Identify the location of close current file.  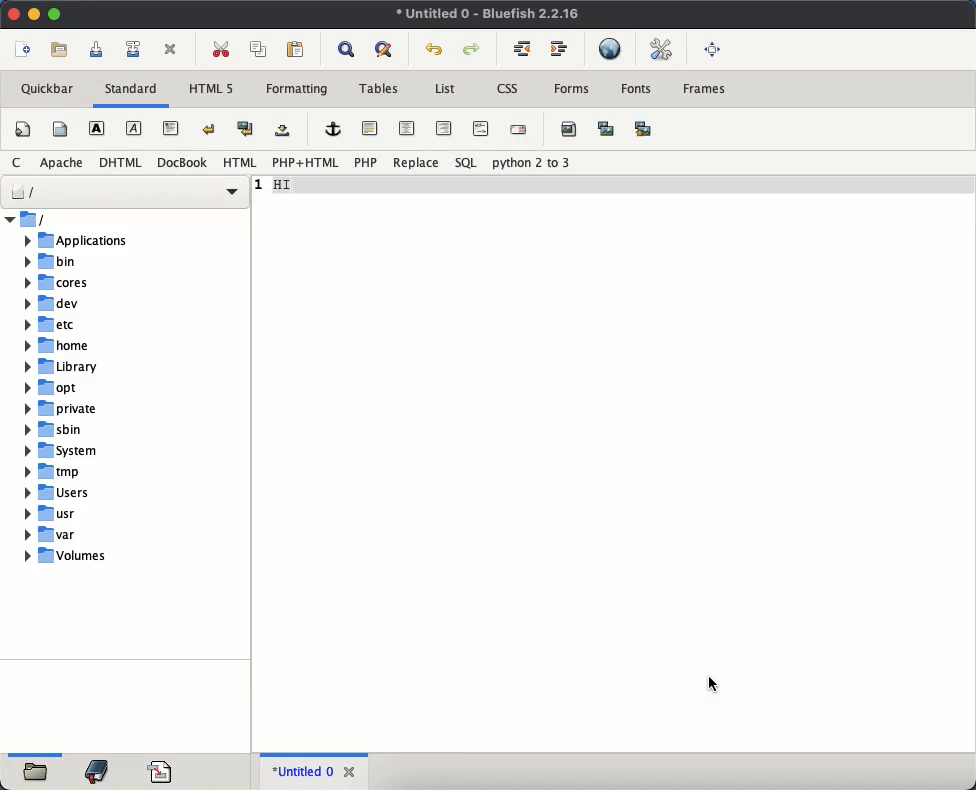
(170, 50).